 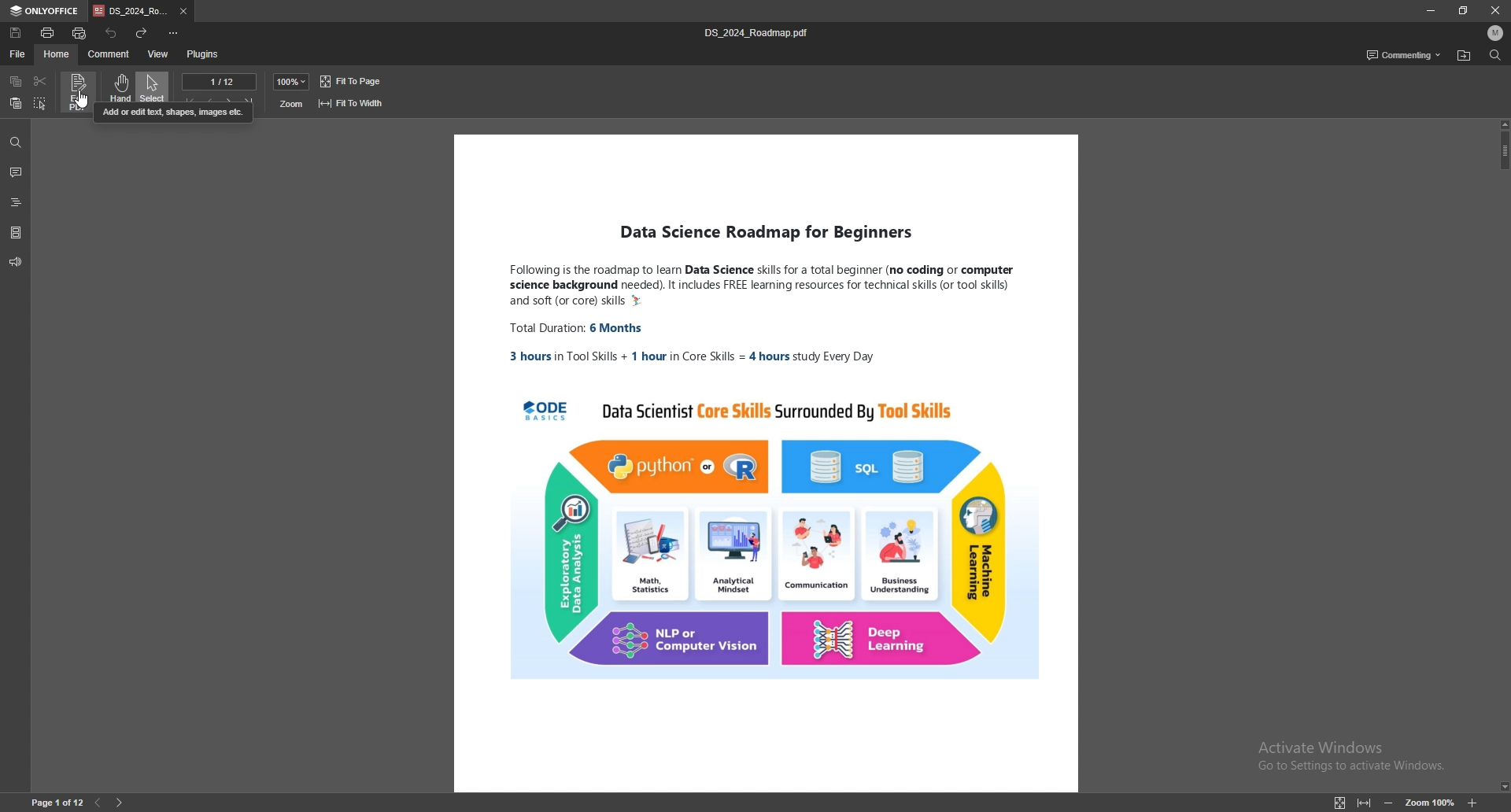 I want to click on customize quick access toolbar, so click(x=174, y=33).